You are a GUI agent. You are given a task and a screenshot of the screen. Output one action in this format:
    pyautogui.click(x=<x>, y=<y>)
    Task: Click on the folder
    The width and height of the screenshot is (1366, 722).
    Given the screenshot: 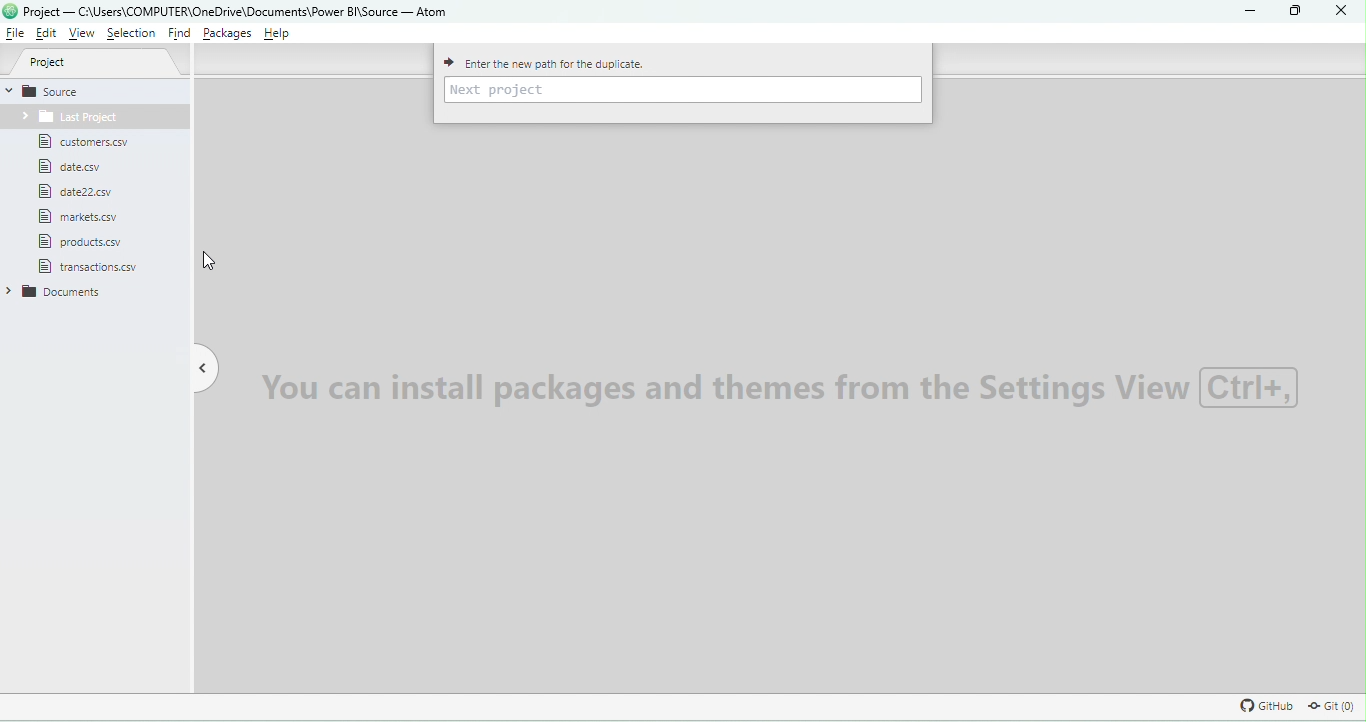 What is the action you would take?
    pyautogui.click(x=66, y=295)
    